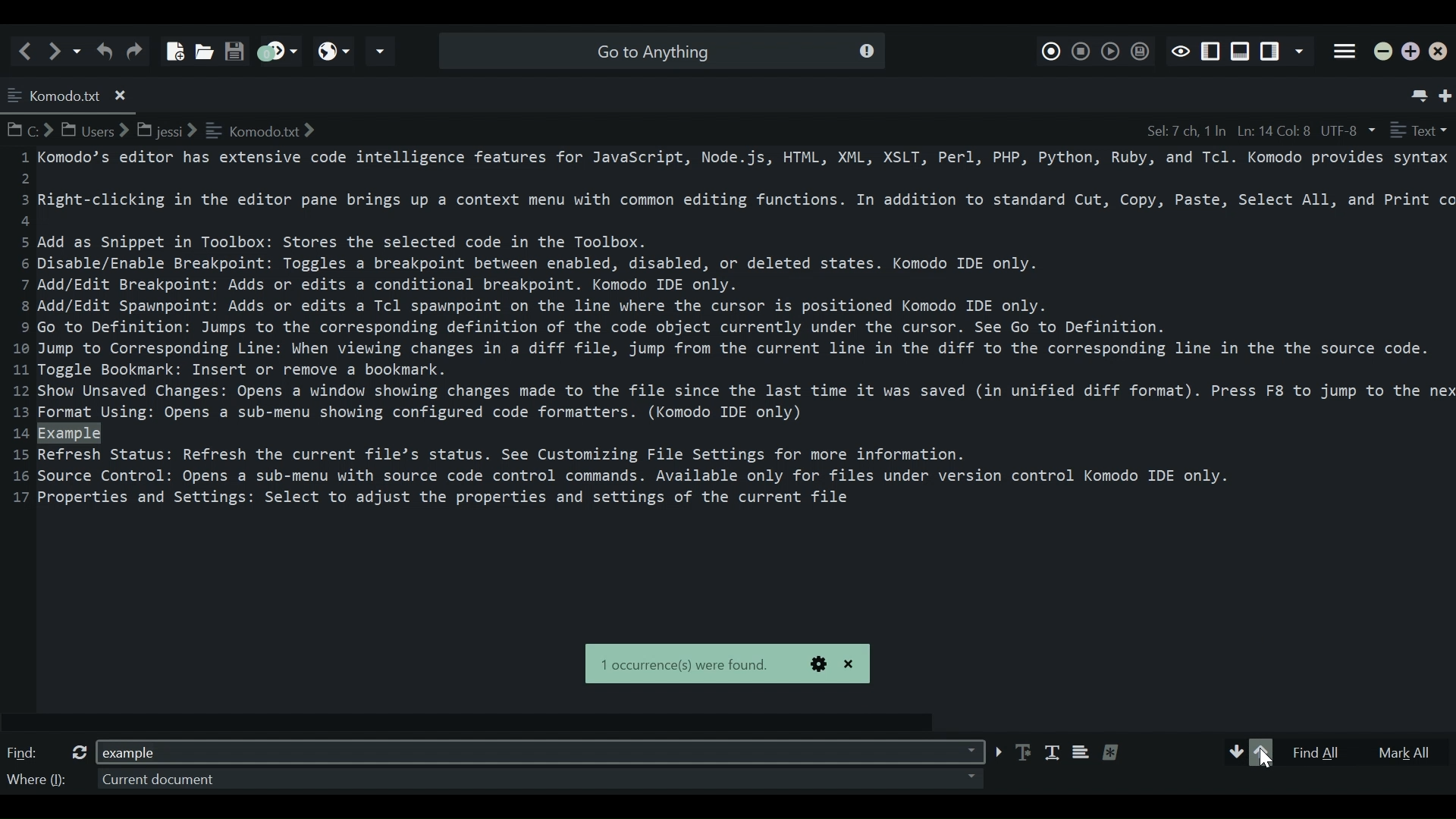  Describe the element at coordinates (538, 750) in the screenshot. I see `Find Field ` at that location.